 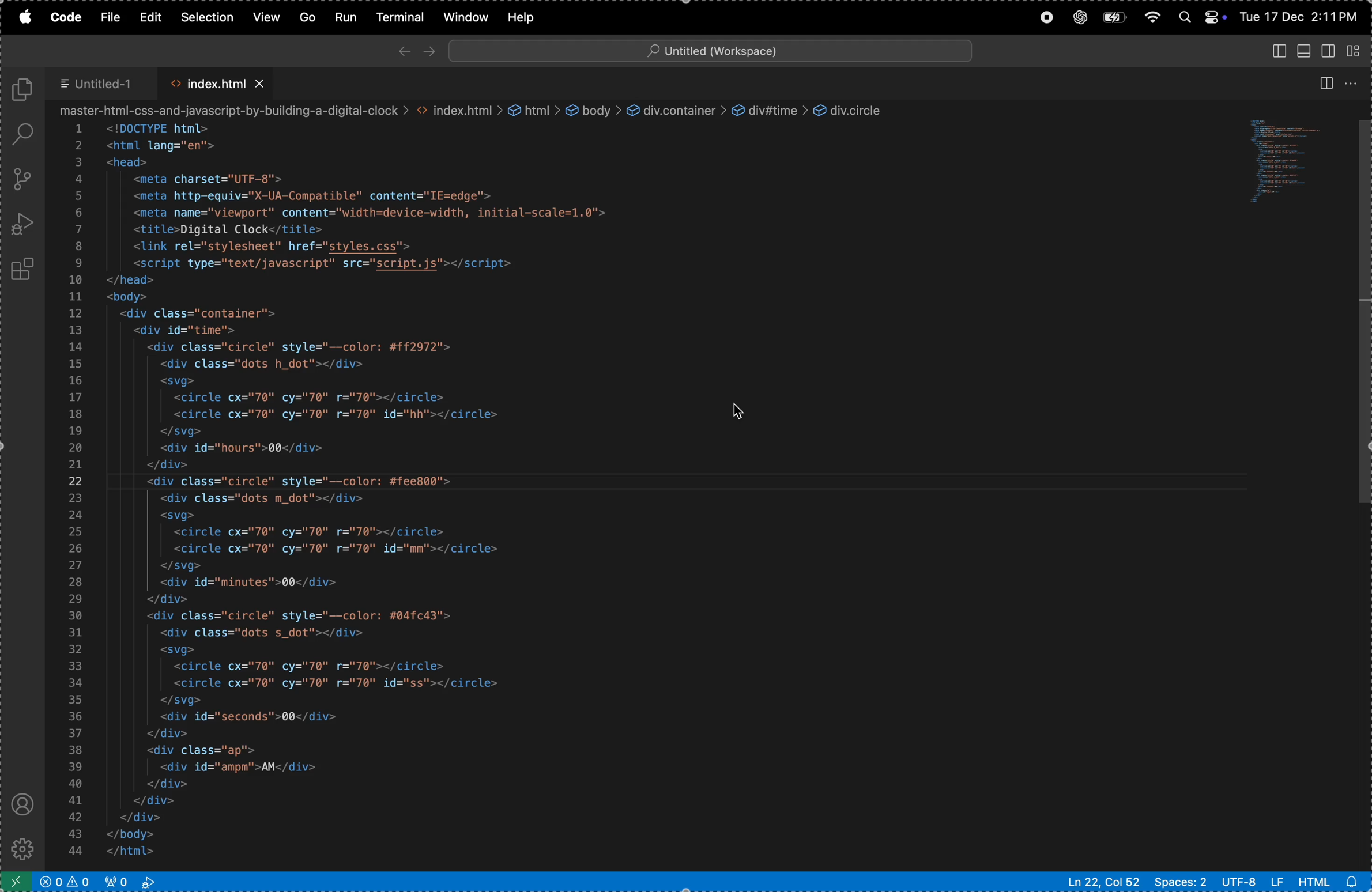 I want to click on code, so click(x=69, y=16).